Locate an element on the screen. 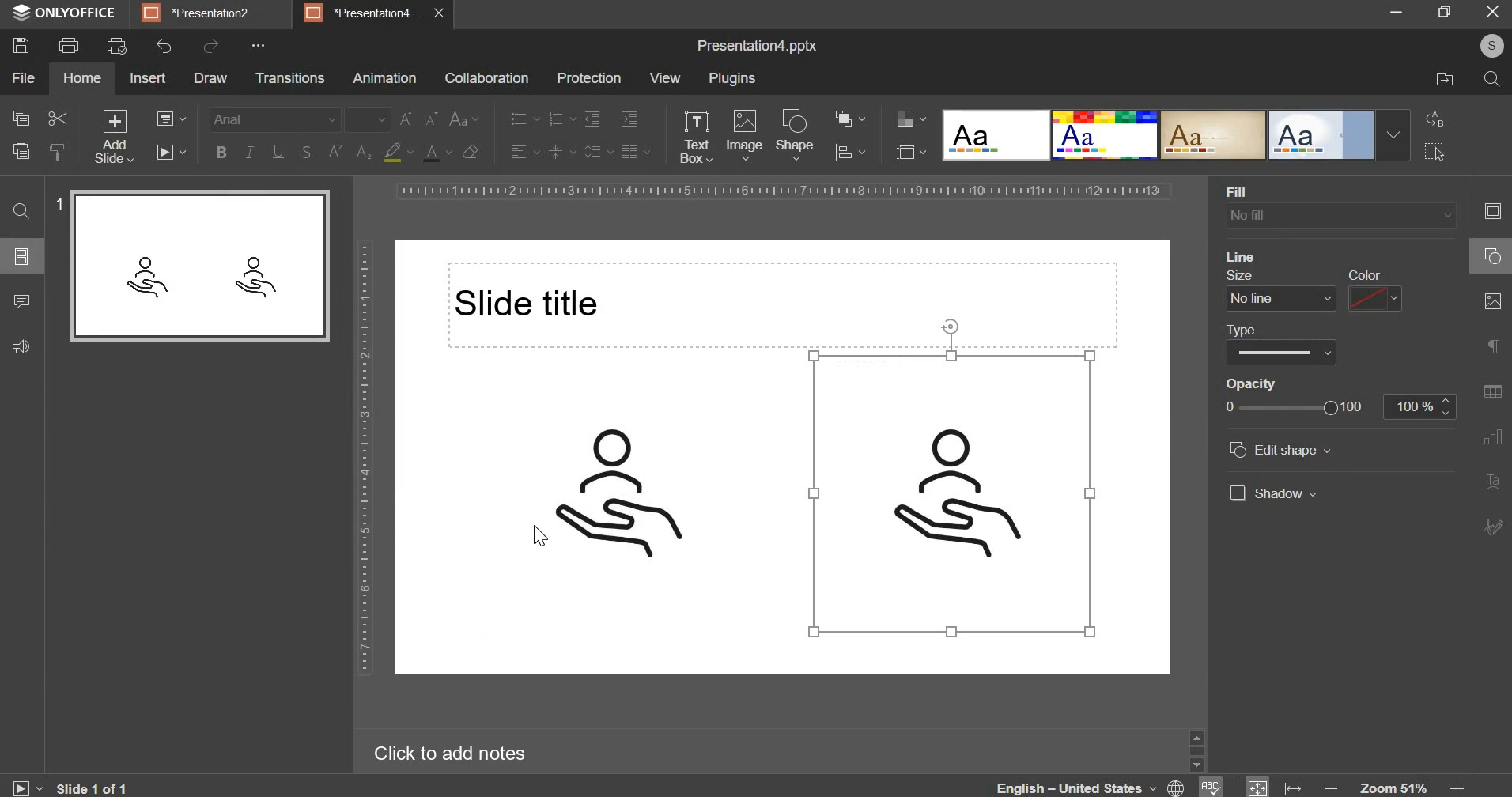 The image size is (1512, 797). text box is located at coordinates (697, 138).